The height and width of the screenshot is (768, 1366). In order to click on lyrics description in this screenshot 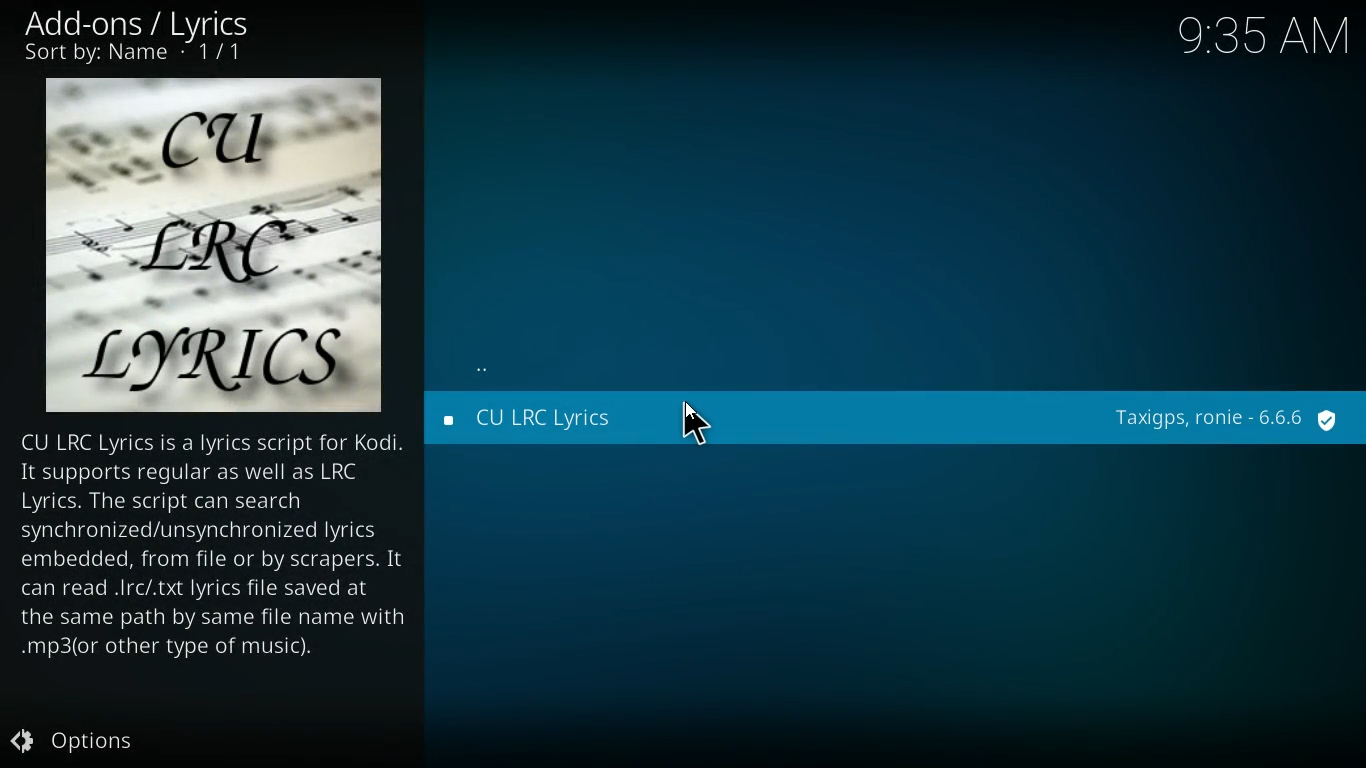, I will do `click(214, 547)`.